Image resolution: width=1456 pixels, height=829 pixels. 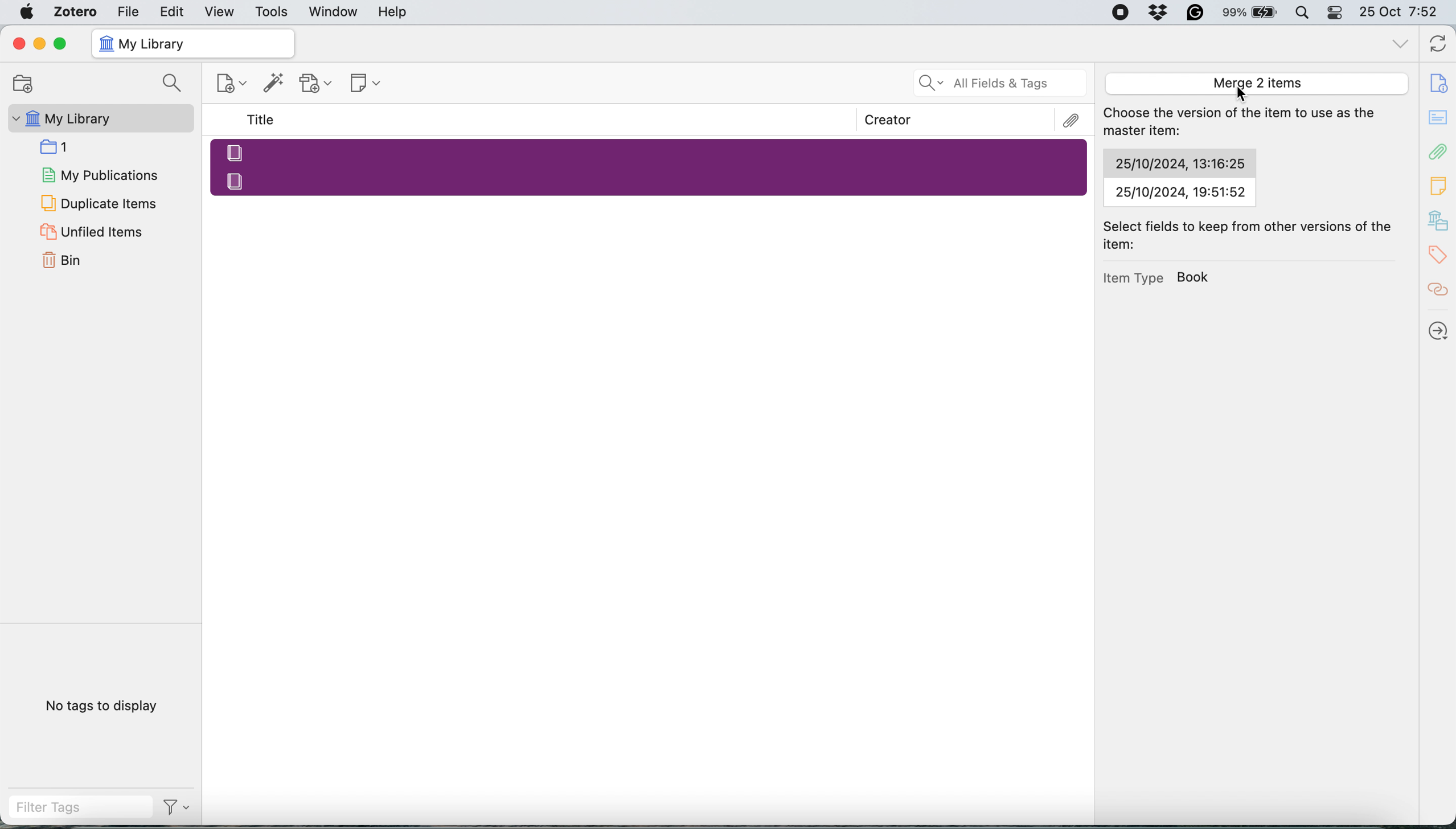 I want to click on Edit, so click(x=173, y=11).